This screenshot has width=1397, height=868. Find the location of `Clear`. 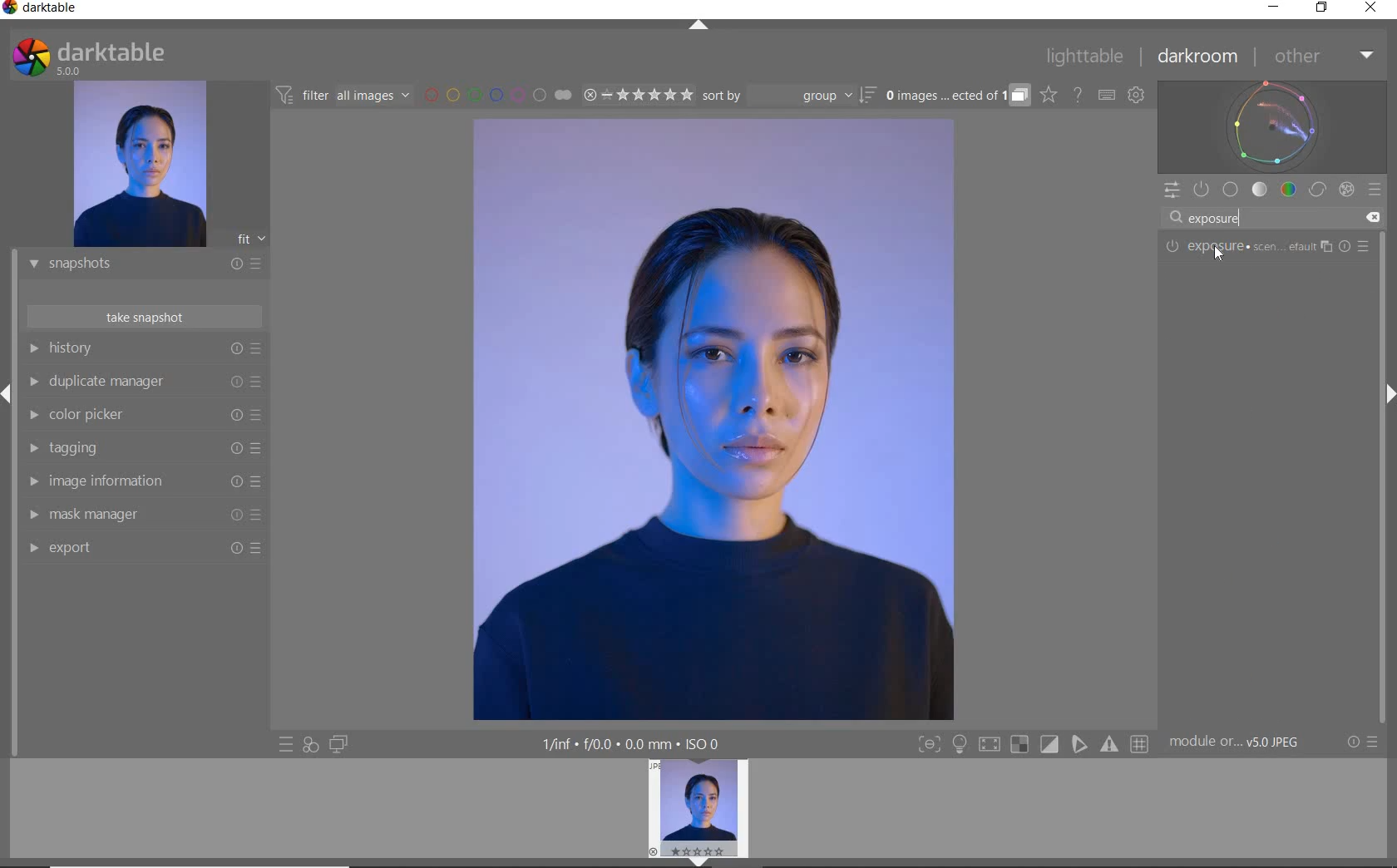

Clear is located at coordinates (1370, 217).